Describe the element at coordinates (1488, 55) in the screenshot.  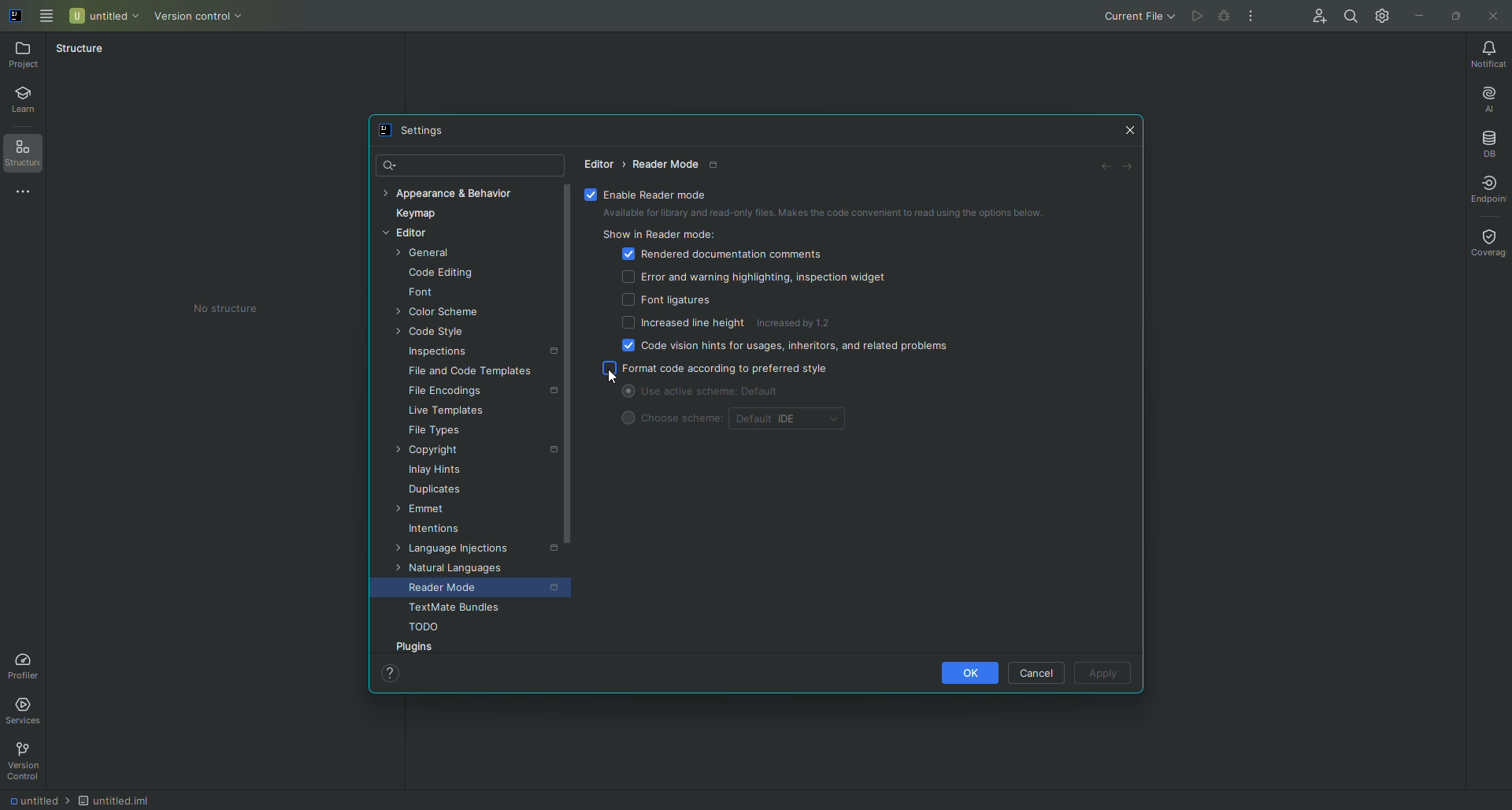
I see `Notifications` at that location.